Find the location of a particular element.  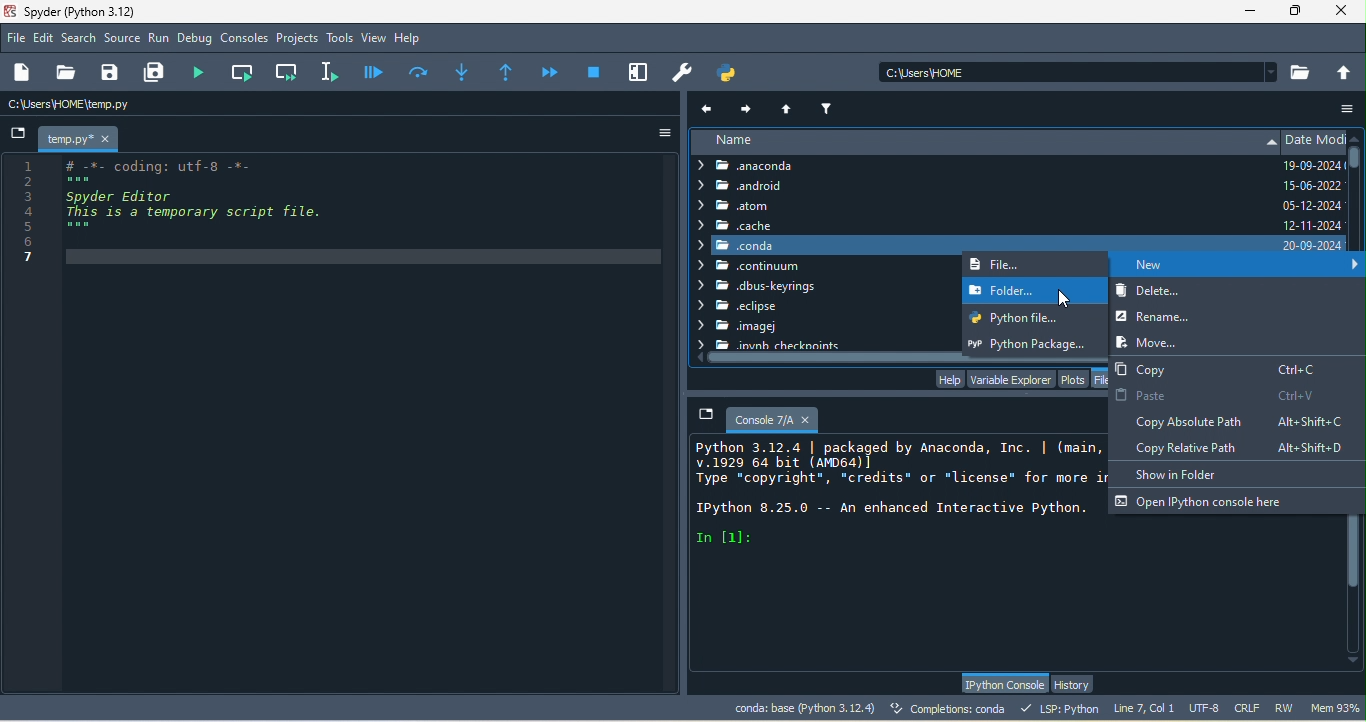

save is located at coordinates (111, 73).